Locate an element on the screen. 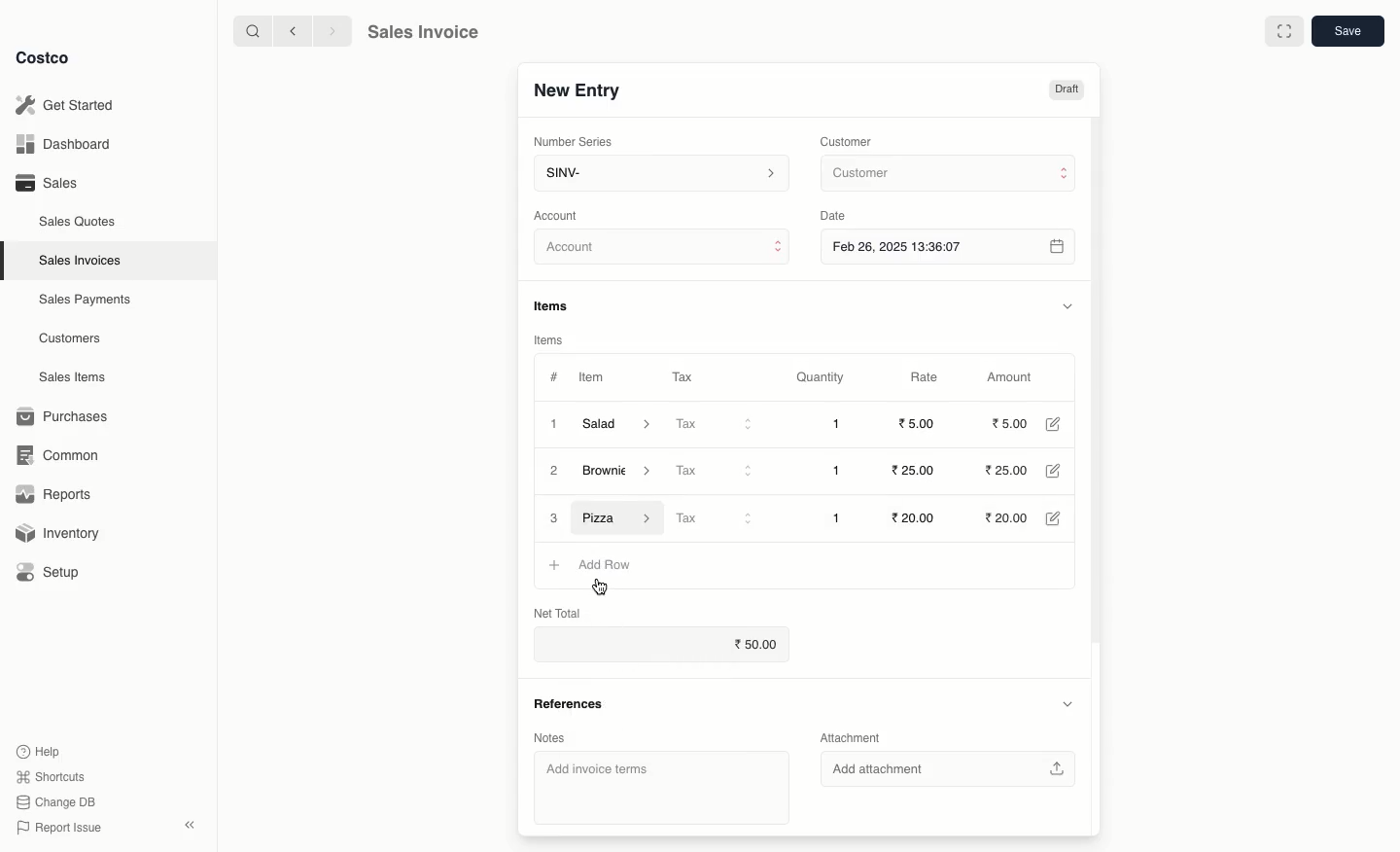 This screenshot has width=1400, height=852. ‘Add attachment is located at coordinates (954, 770).